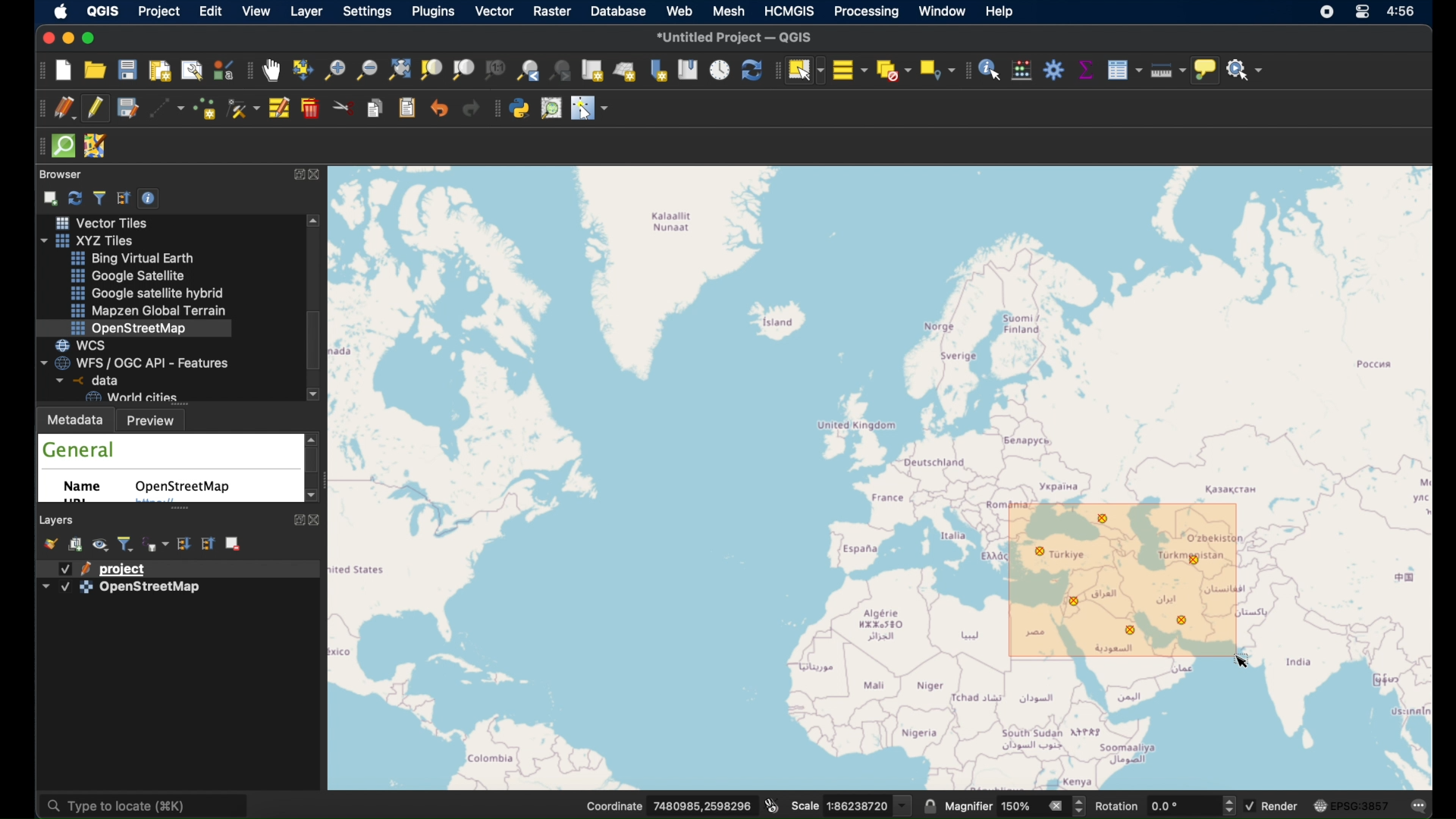 Image resolution: width=1456 pixels, height=819 pixels. Describe the element at coordinates (433, 13) in the screenshot. I see `plugins` at that location.